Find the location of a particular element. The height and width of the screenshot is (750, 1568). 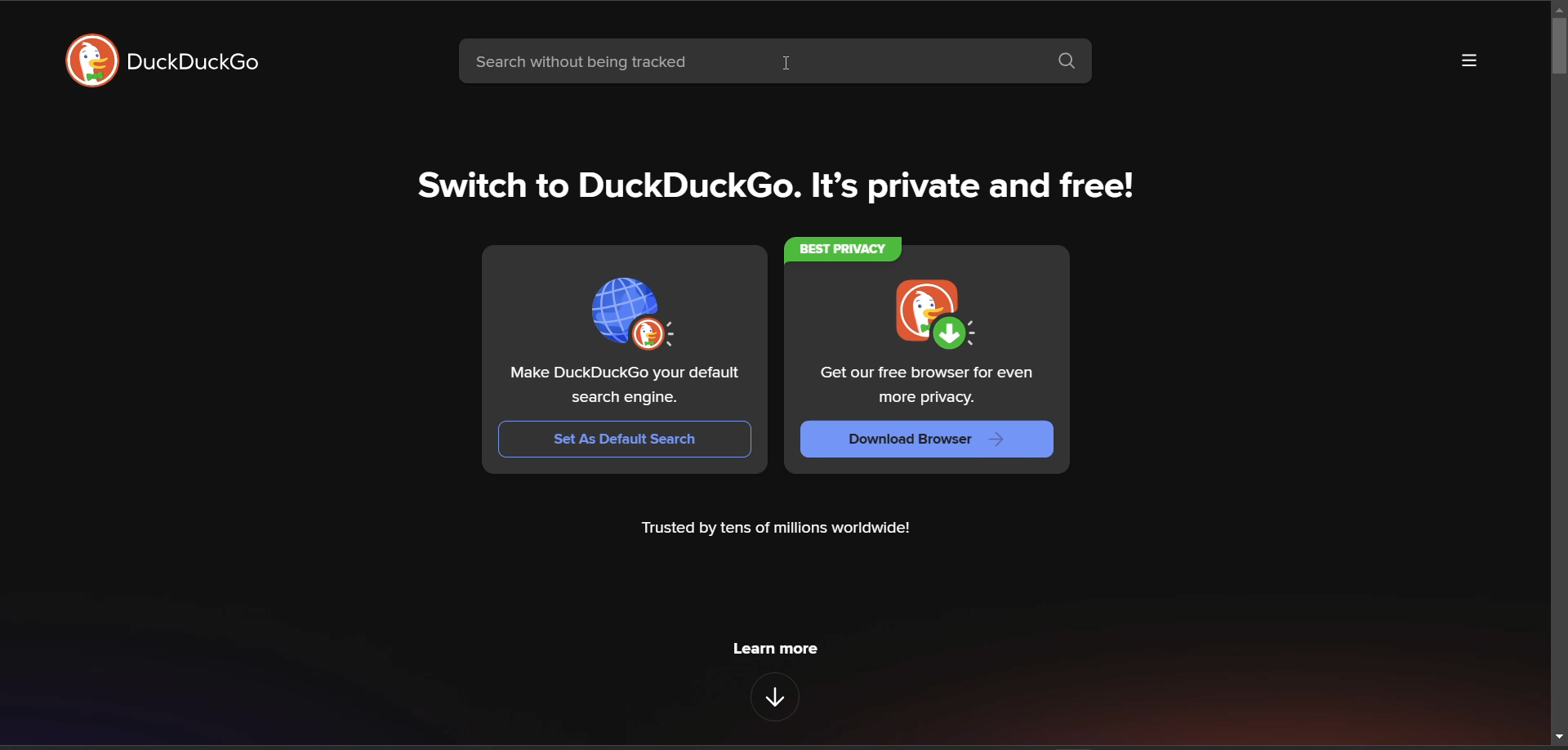

Get our free browser for even
more privacy.
Download Browser —> is located at coordinates (922, 365).